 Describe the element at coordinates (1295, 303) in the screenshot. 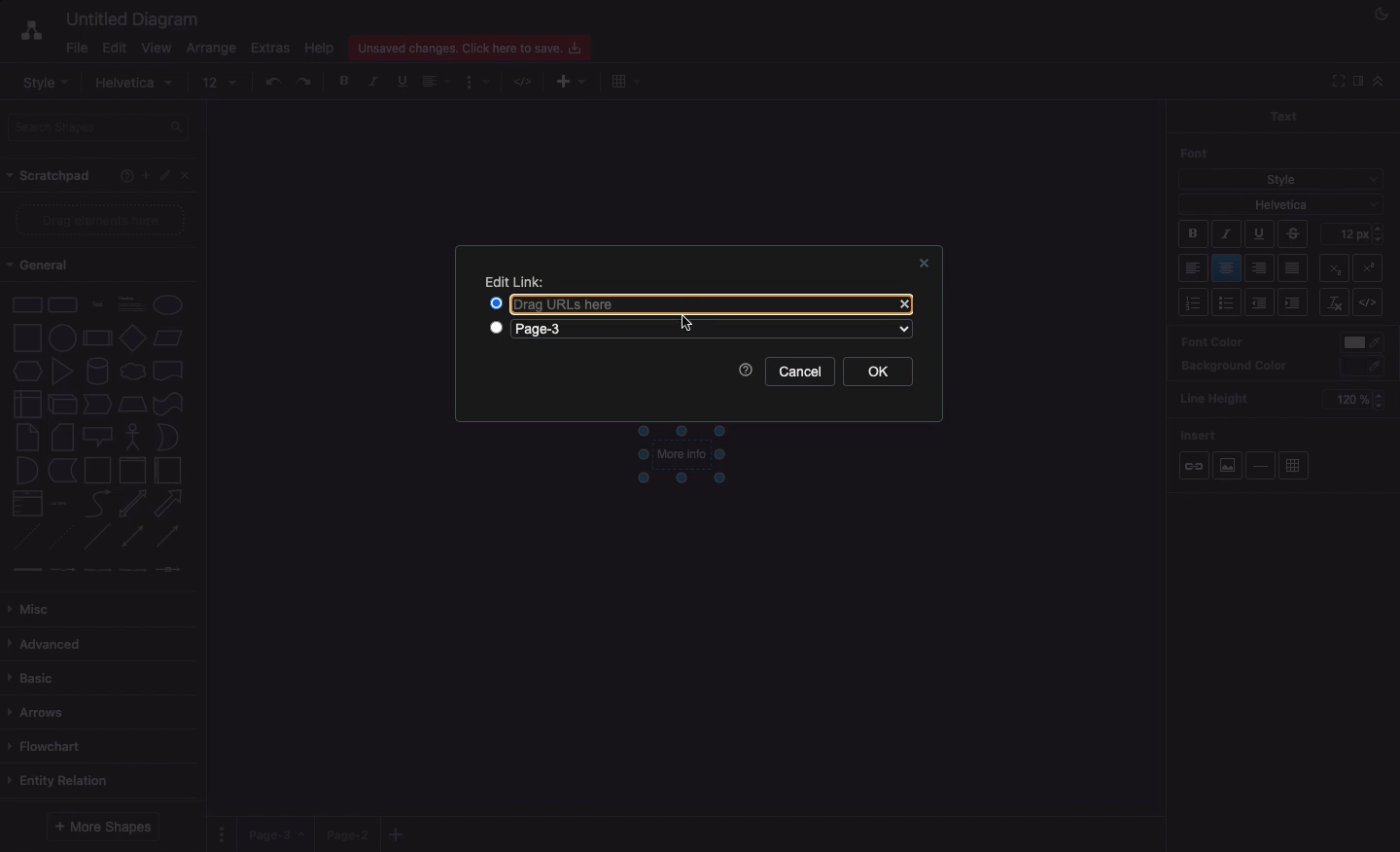

I see `Indent` at that location.